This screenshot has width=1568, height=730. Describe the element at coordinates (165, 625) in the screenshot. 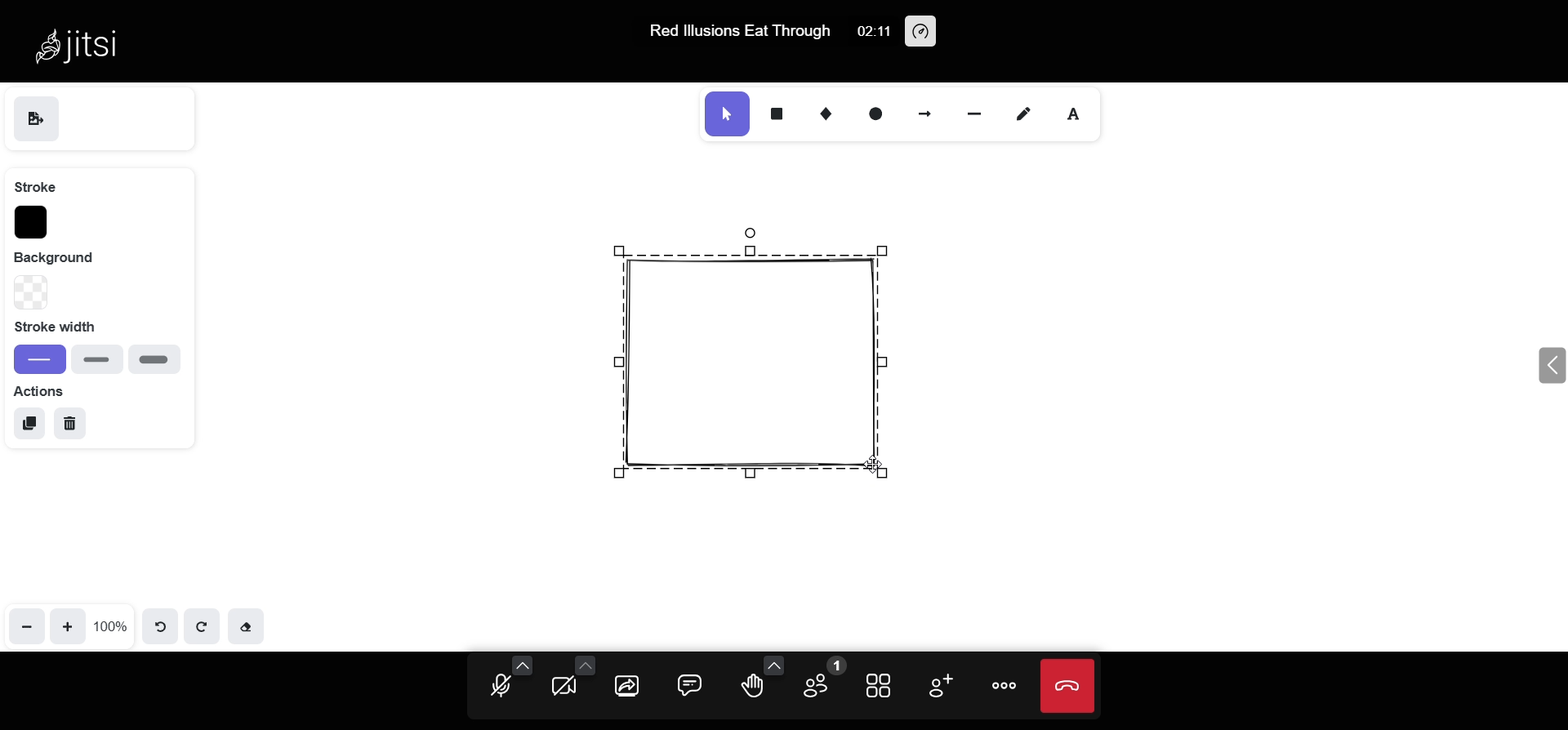

I see `undo` at that location.